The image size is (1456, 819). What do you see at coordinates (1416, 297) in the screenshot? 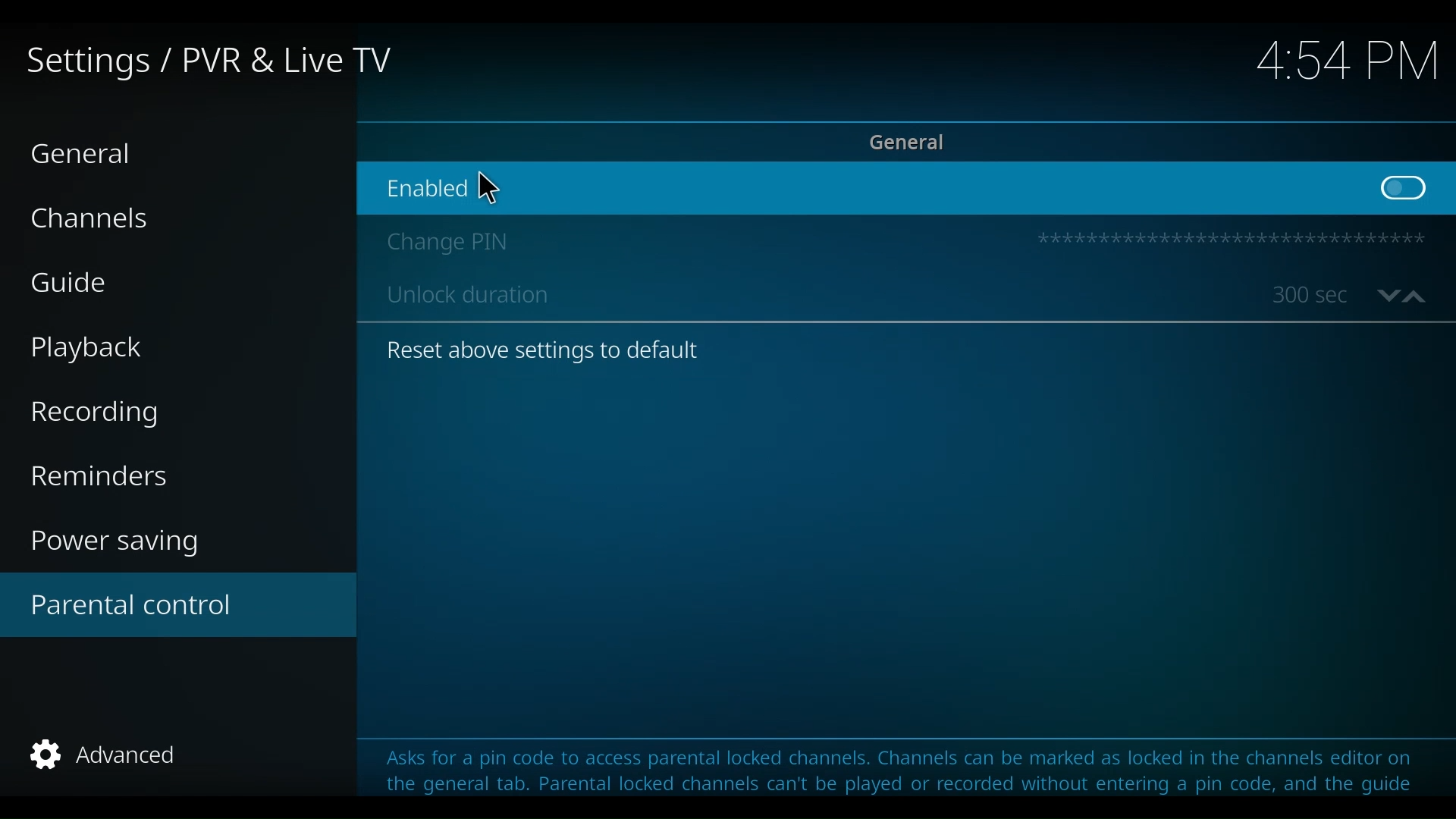
I see `up` at bounding box center [1416, 297].